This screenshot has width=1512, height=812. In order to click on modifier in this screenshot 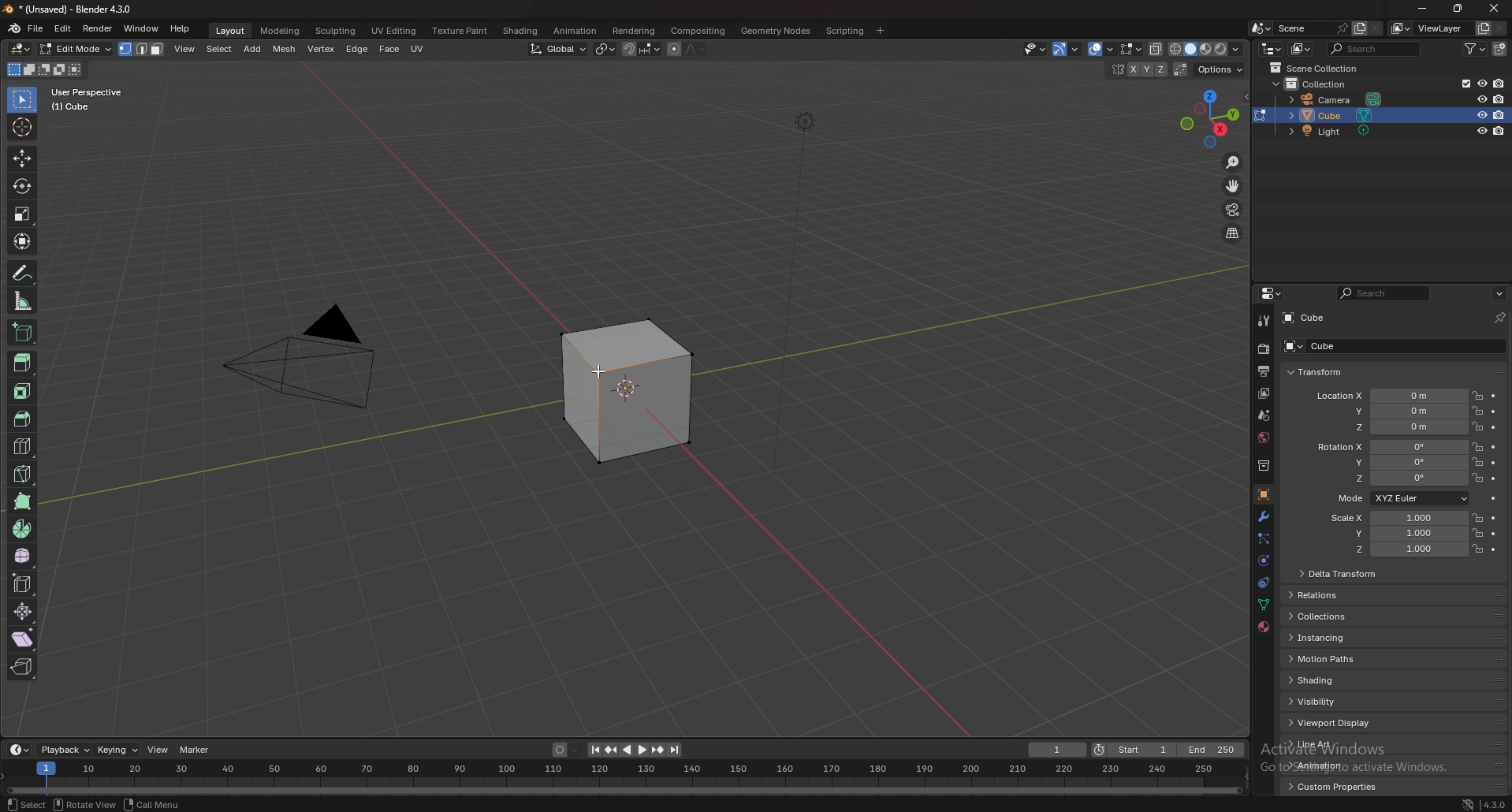, I will do `click(1264, 517)`.